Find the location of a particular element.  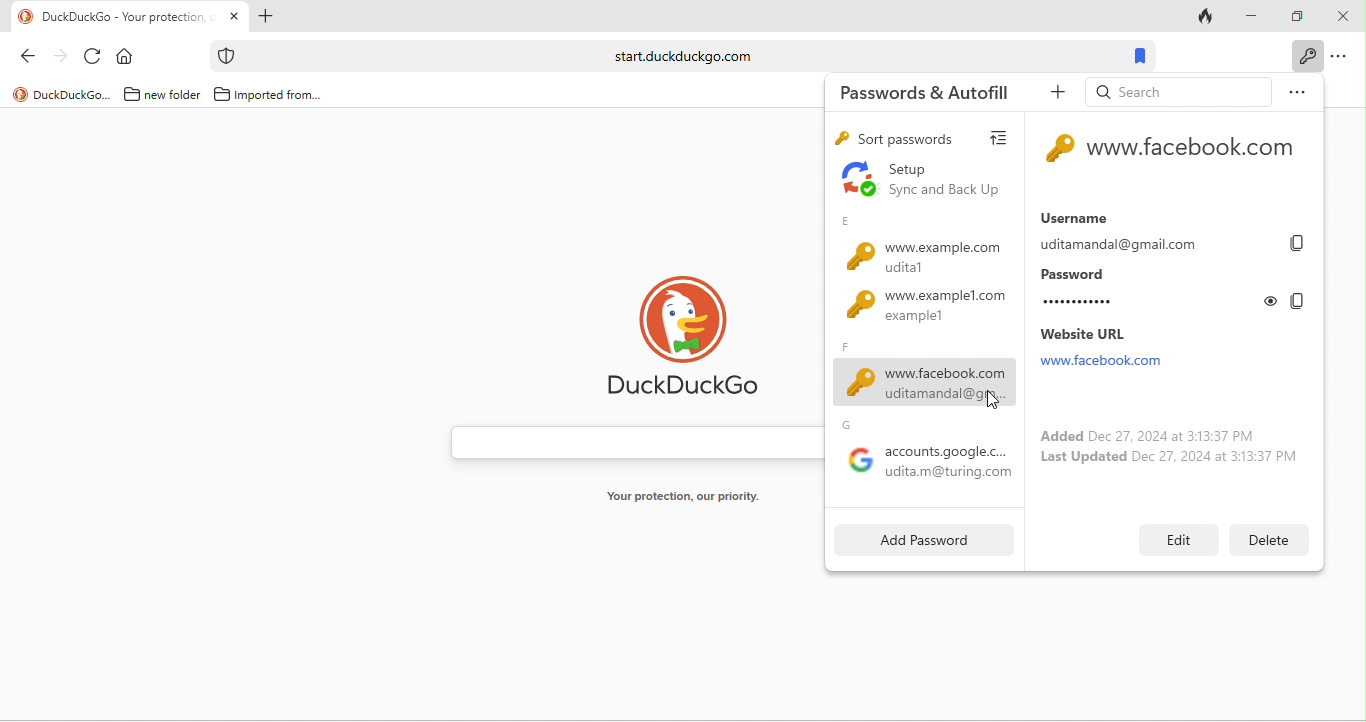

add new tab is located at coordinates (265, 18).